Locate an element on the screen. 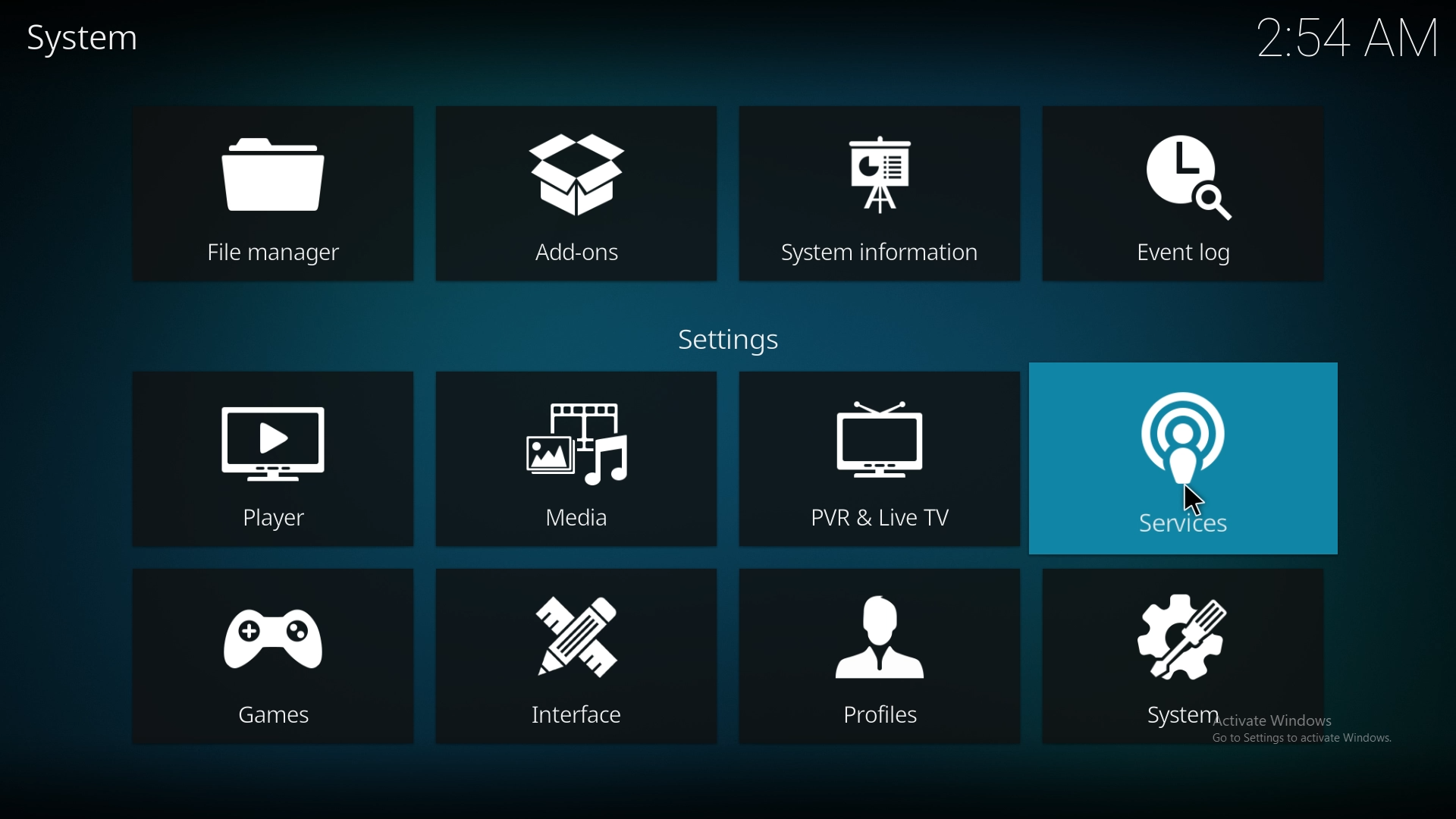 Image resolution: width=1456 pixels, height=819 pixels. player is located at coordinates (271, 460).